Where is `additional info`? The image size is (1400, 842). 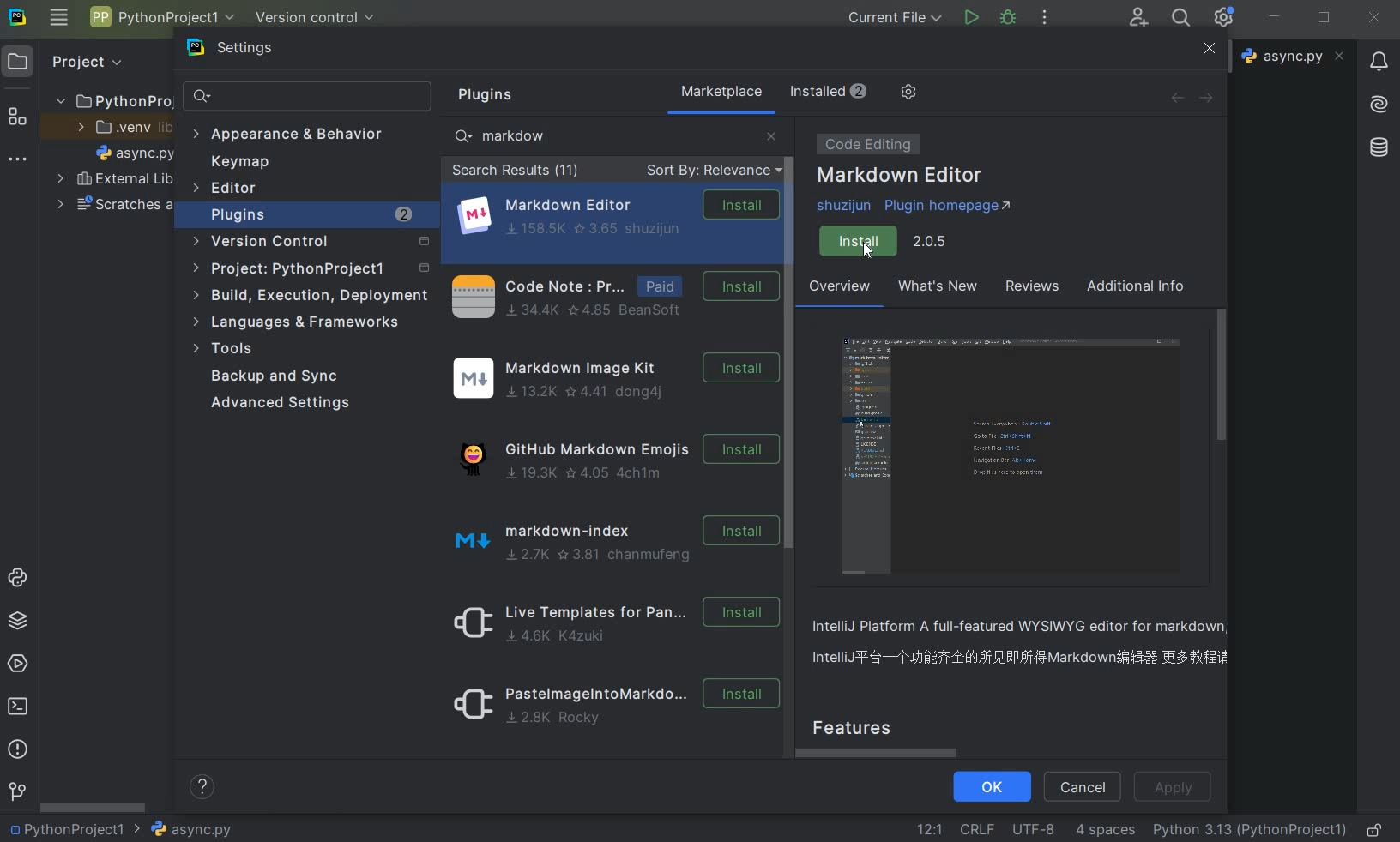
additional info is located at coordinates (1137, 288).